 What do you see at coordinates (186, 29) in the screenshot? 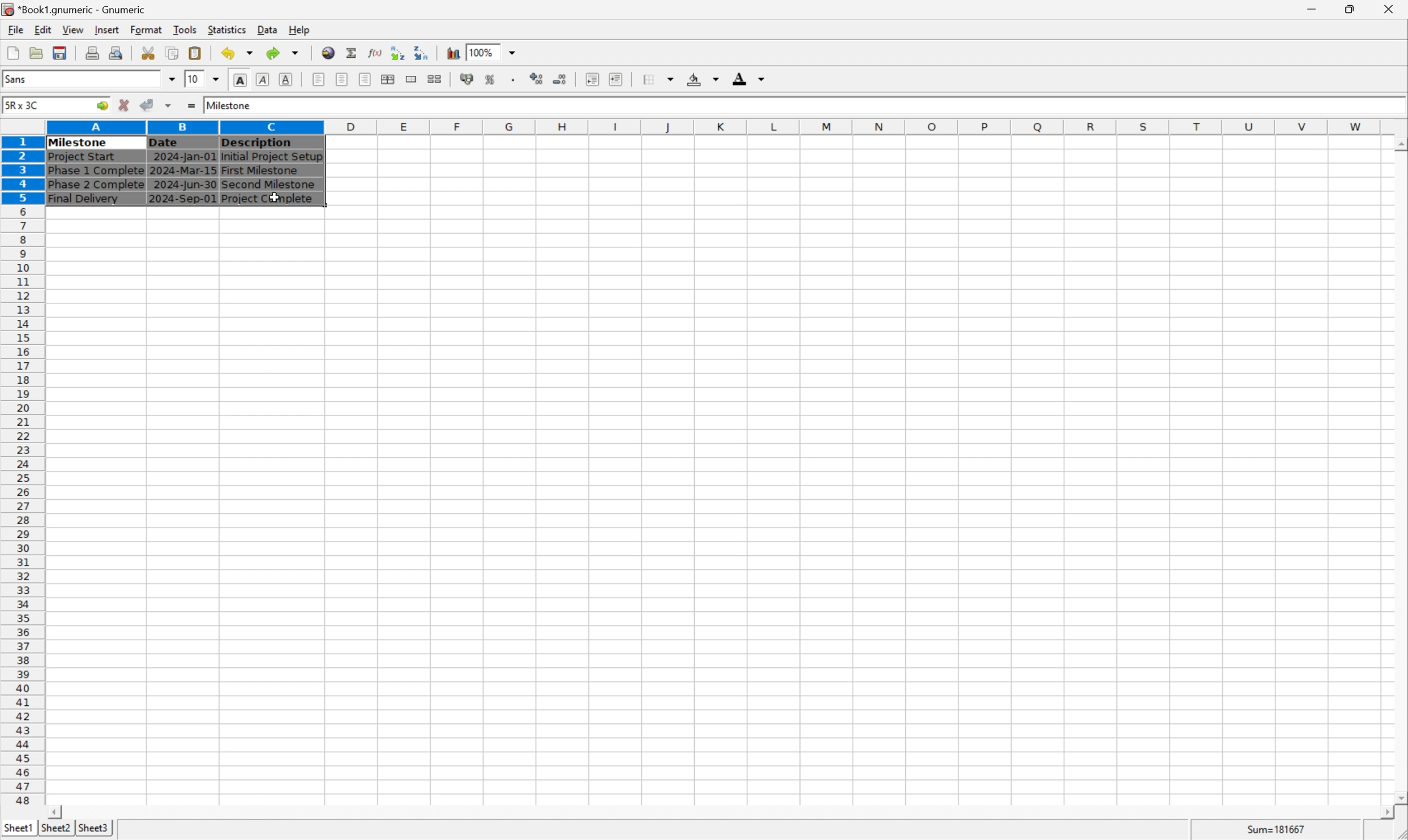
I see `tools` at bounding box center [186, 29].